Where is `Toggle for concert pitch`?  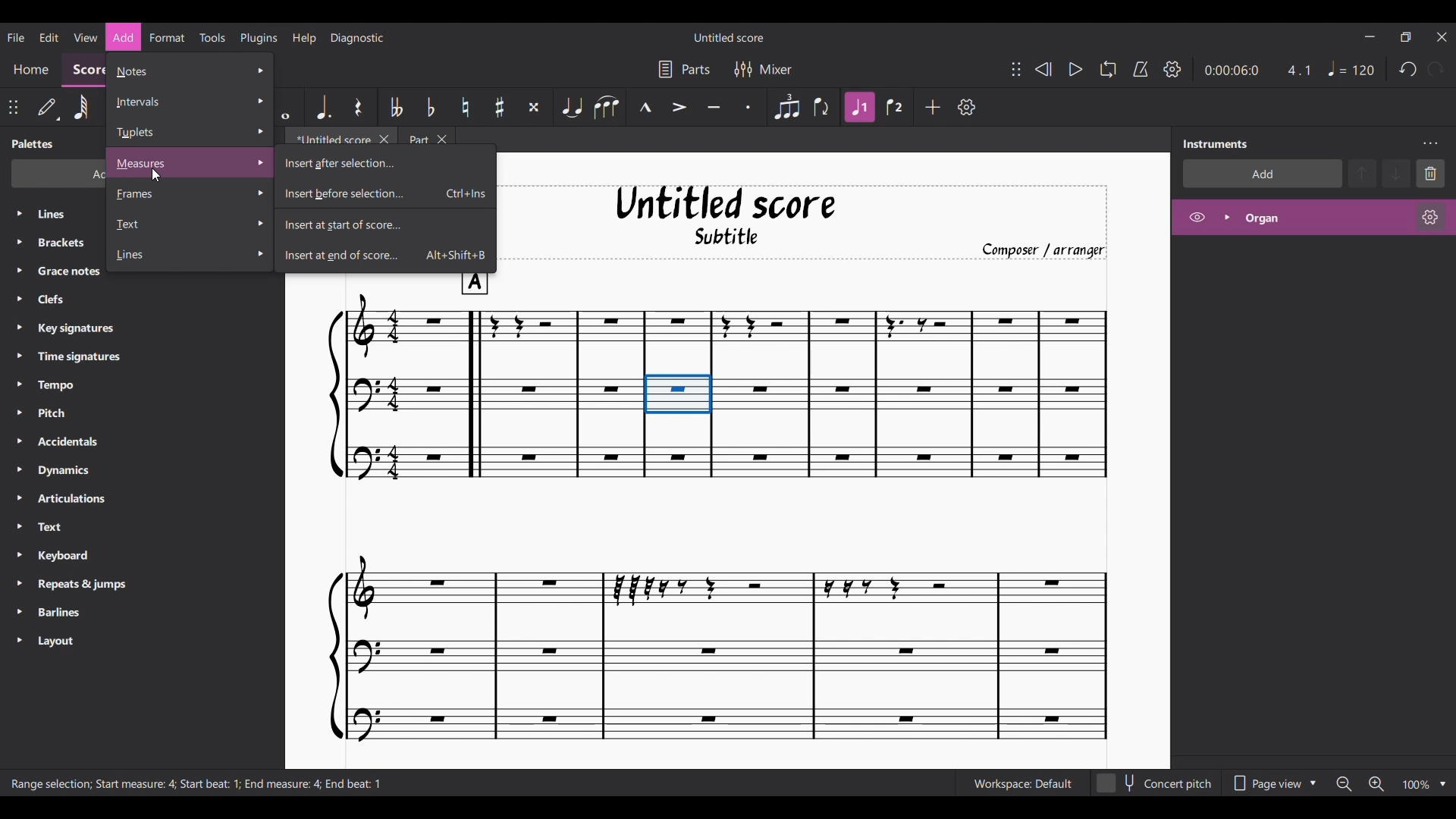
Toggle for concert pitch is located at coordinates (1155, 783).